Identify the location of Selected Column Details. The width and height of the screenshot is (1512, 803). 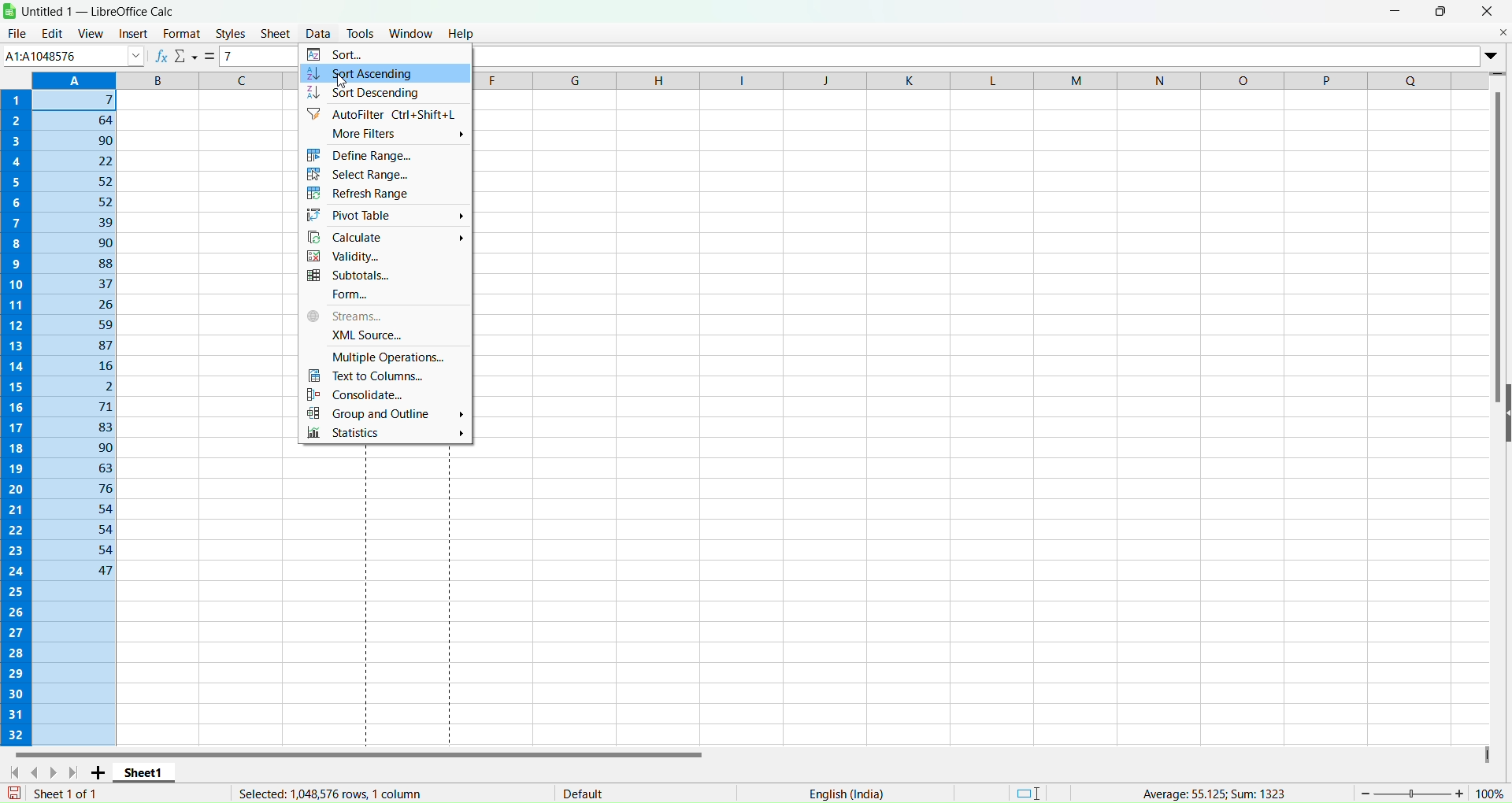
(322, 794).